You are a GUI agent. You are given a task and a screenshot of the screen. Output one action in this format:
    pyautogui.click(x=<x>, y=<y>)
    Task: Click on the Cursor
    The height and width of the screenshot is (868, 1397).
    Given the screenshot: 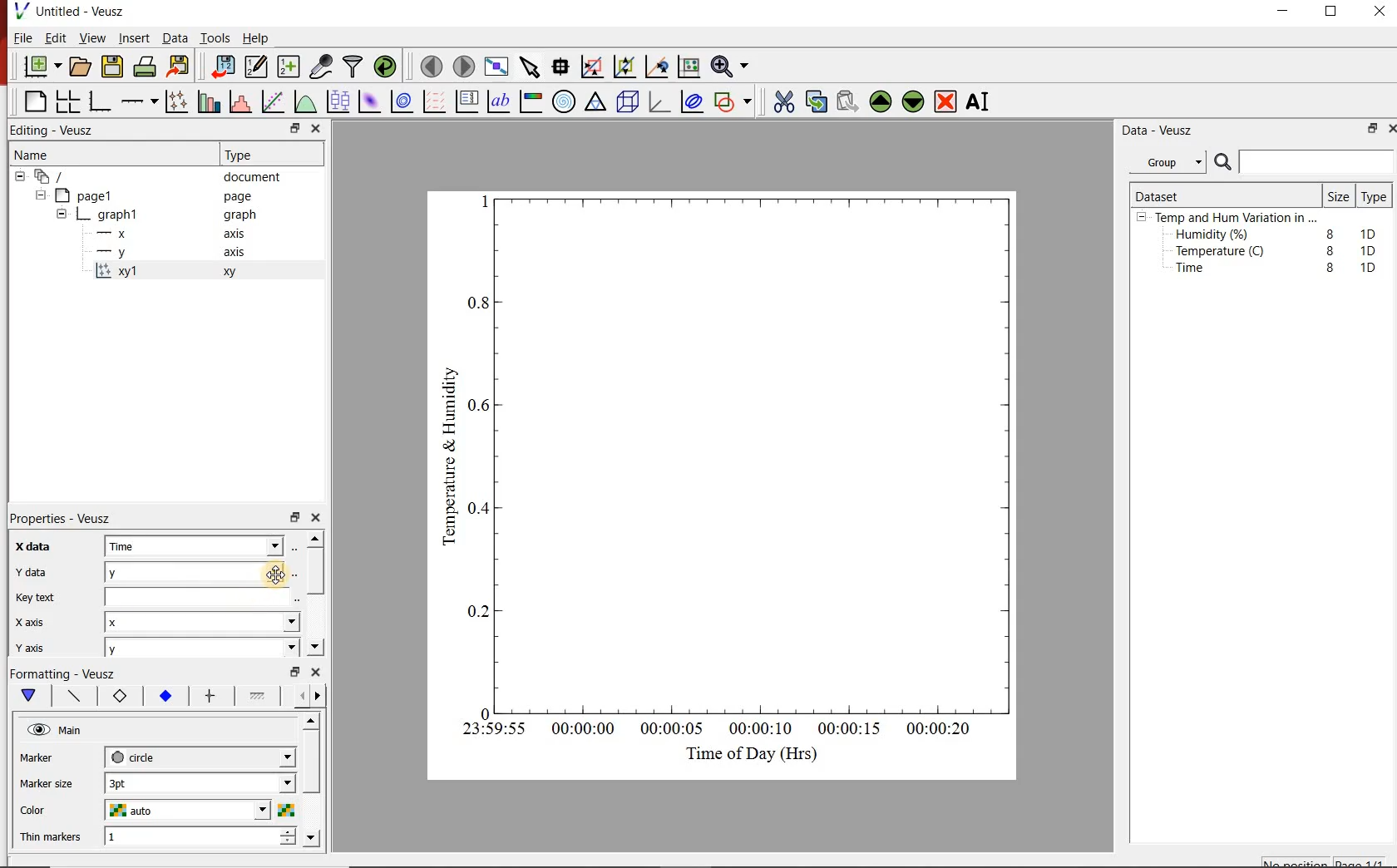 What is the action you would take?
    pyautogui.click(x=259, y=573)
    